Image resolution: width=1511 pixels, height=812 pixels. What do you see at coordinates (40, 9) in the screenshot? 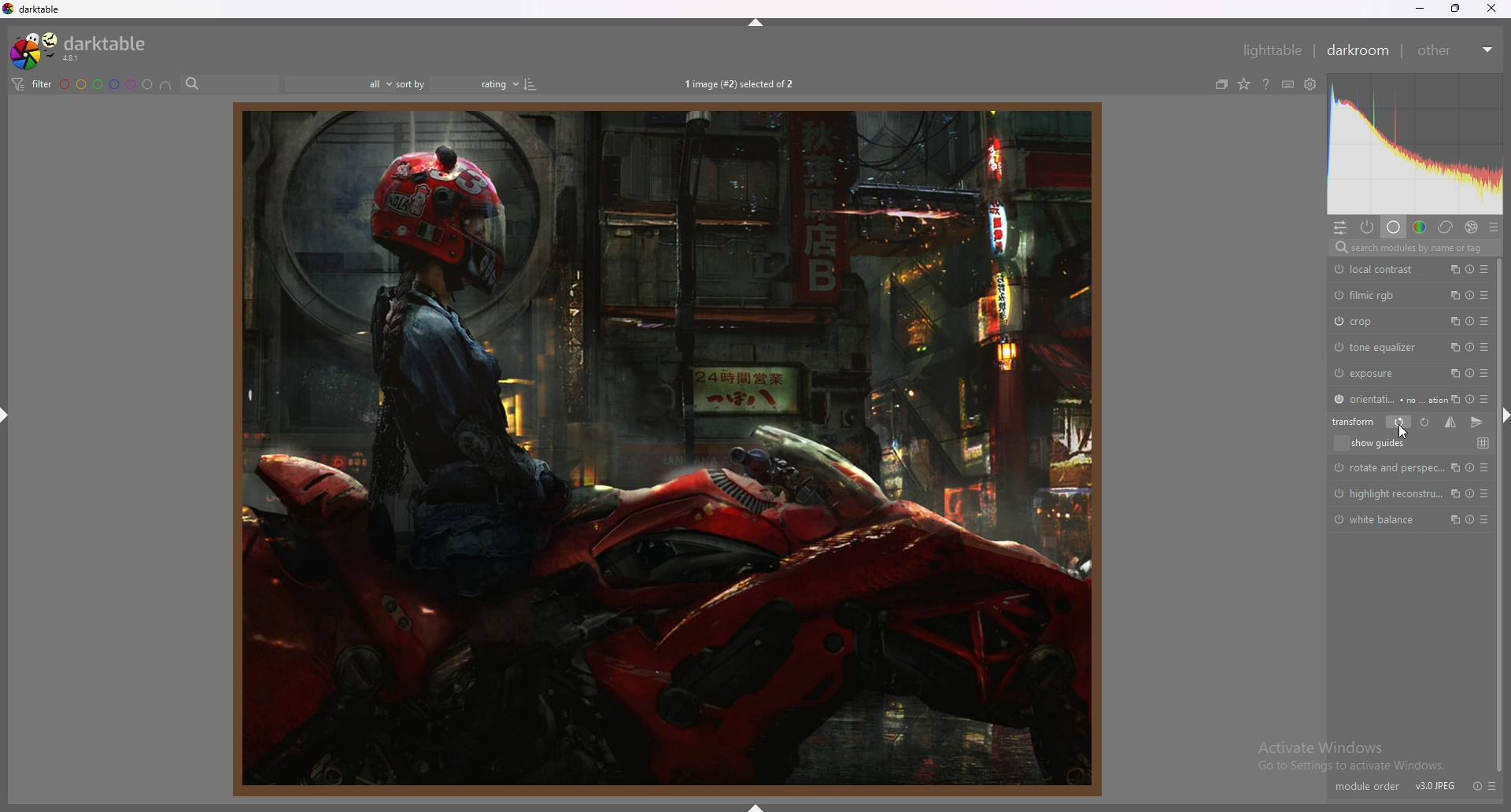
I see `darktable` at bounding box center [40, 9].